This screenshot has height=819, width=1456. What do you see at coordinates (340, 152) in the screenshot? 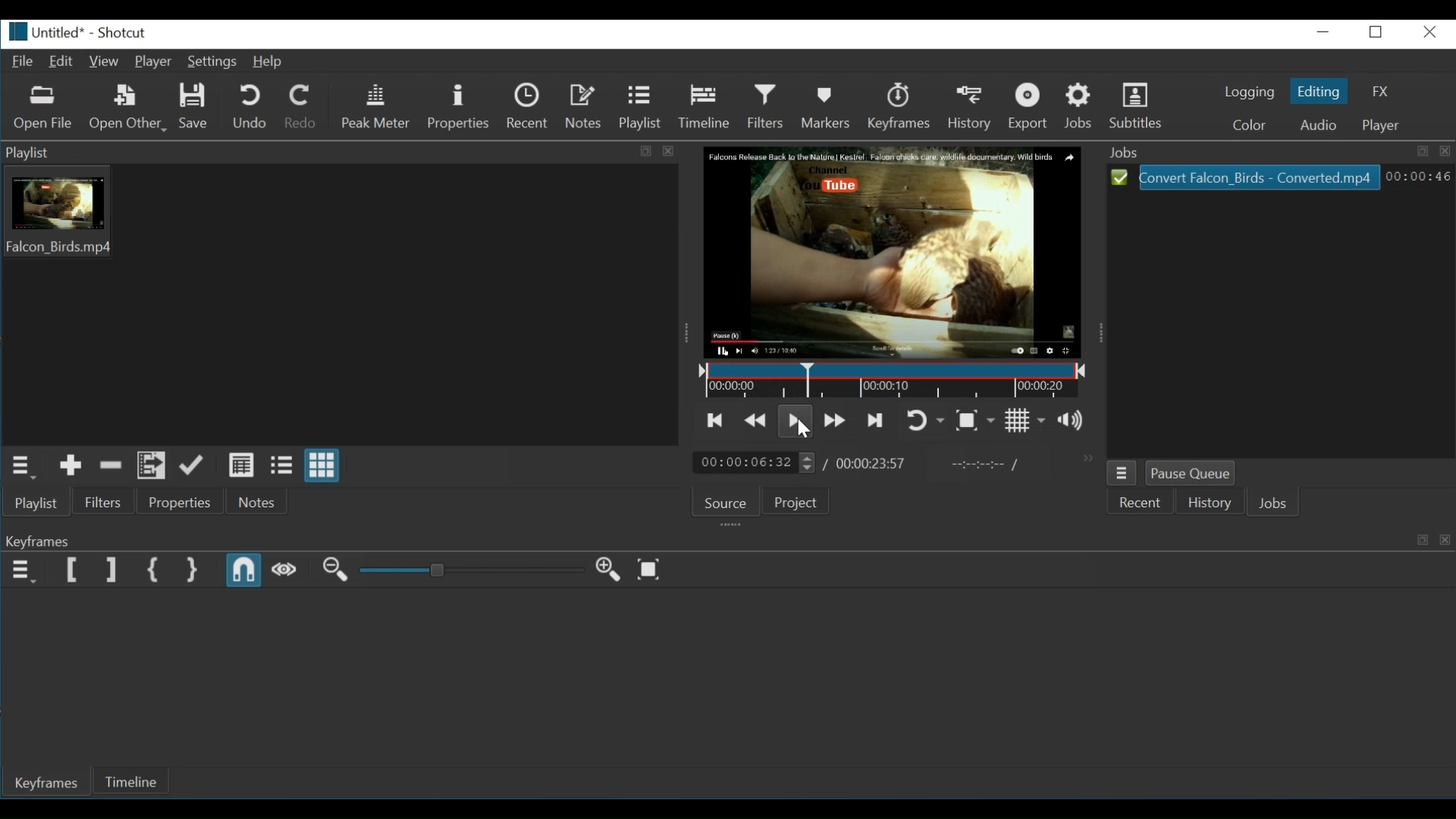
I see `Playlist` at bounding box center [340, 152].